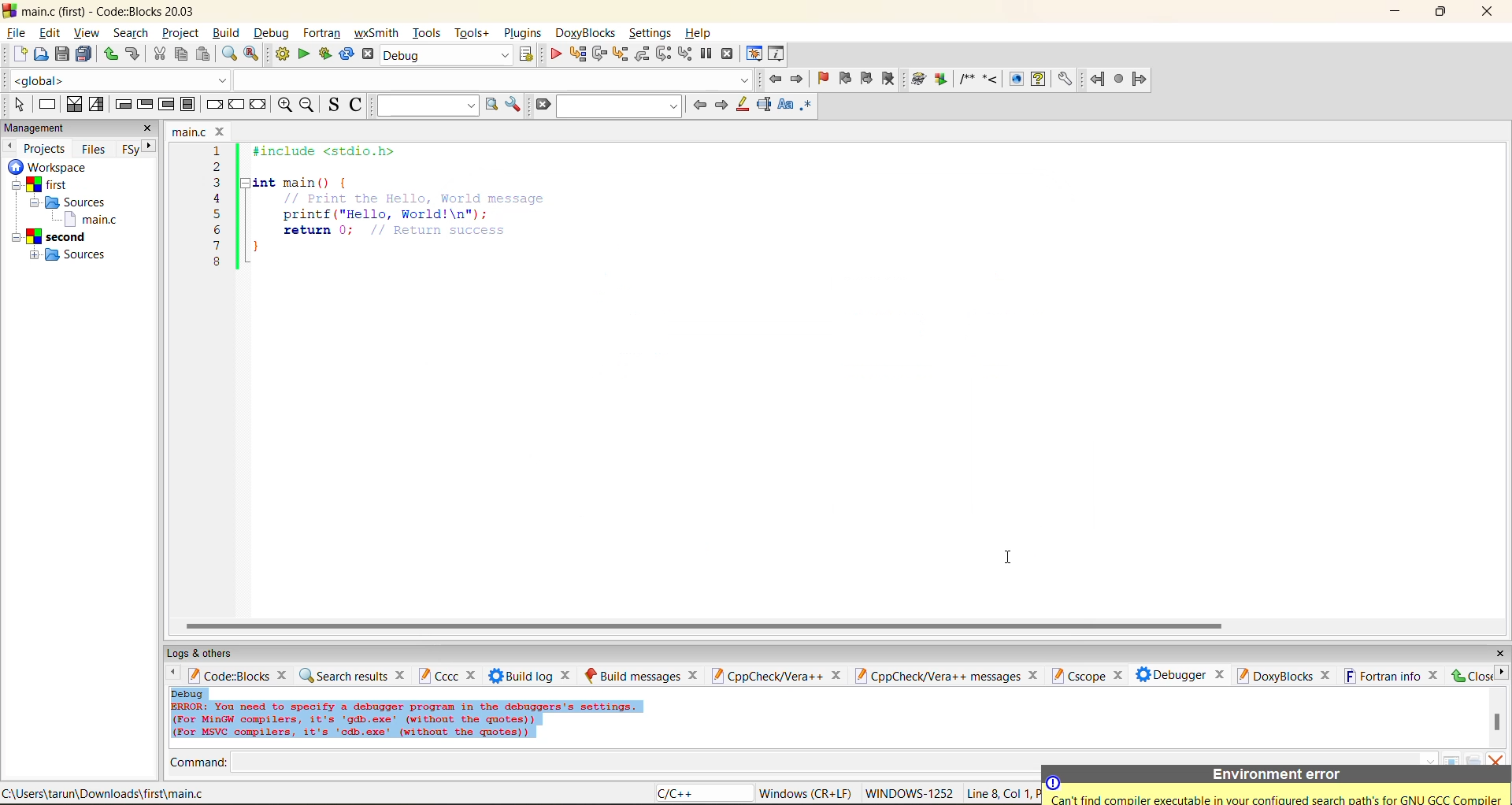 The image size is (1512, 805). What do you see at coordinates (46, 105) in the screenshot?
I see `instruction` at bounding box center [46, 105].